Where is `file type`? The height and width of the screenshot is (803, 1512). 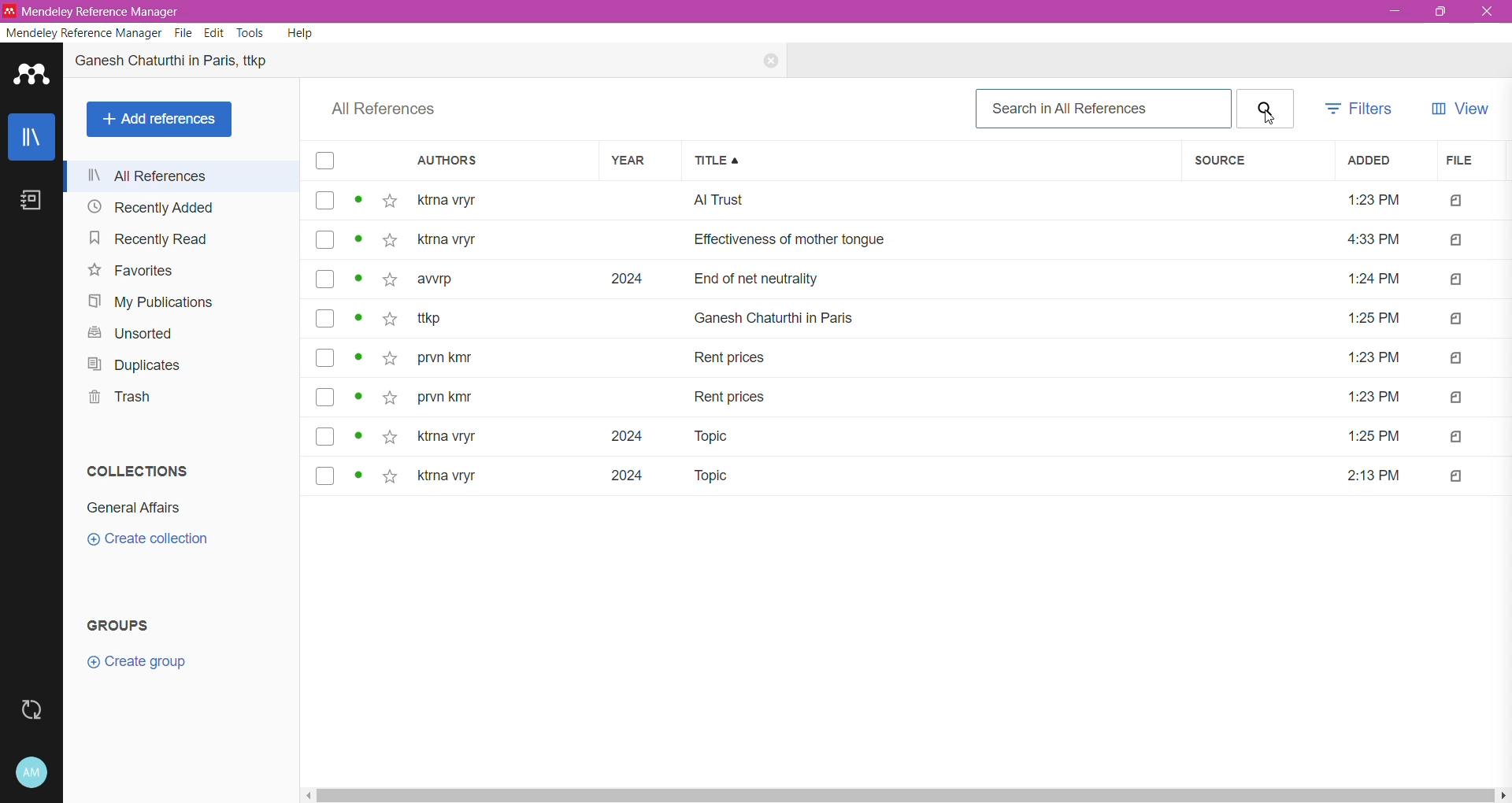
file type is located at coordinates (1456, 361).